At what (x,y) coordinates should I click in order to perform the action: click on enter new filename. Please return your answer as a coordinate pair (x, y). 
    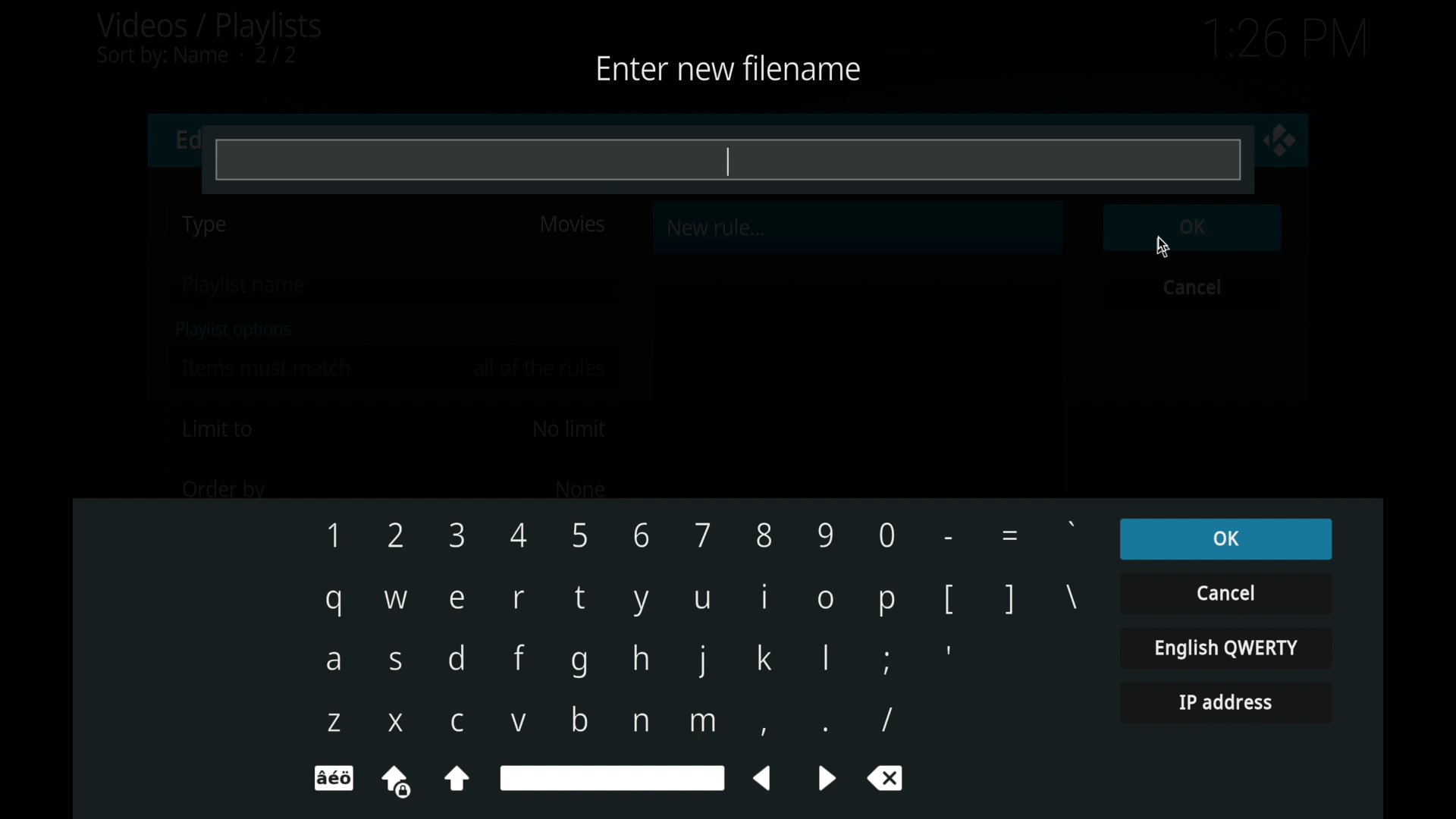
    Looking at the image, I should click on (725, 67).